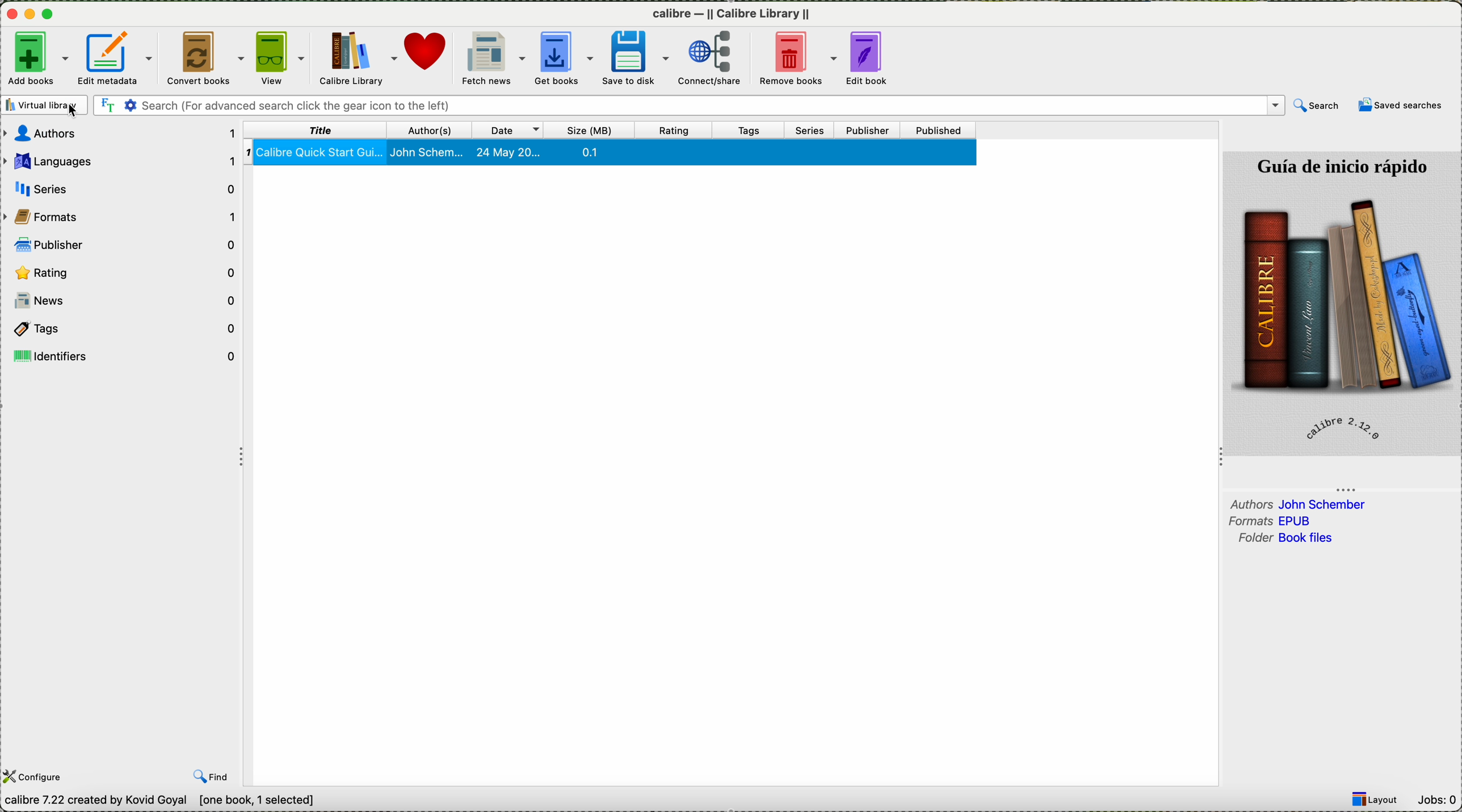 The height and width of the screenshot is (812, 1462). I want to click on book, so click(612, 153).